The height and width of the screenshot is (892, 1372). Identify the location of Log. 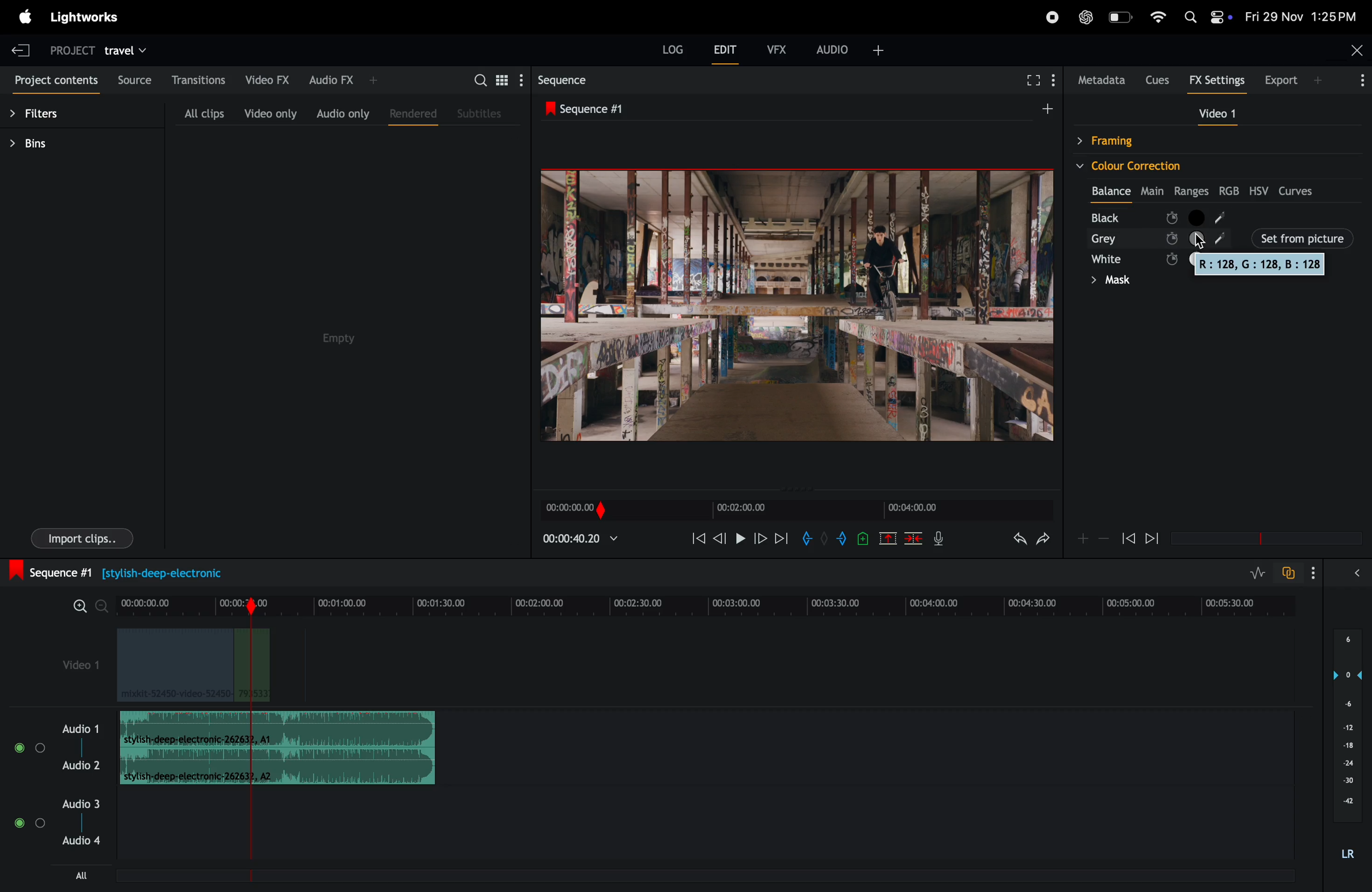
(673, 49).